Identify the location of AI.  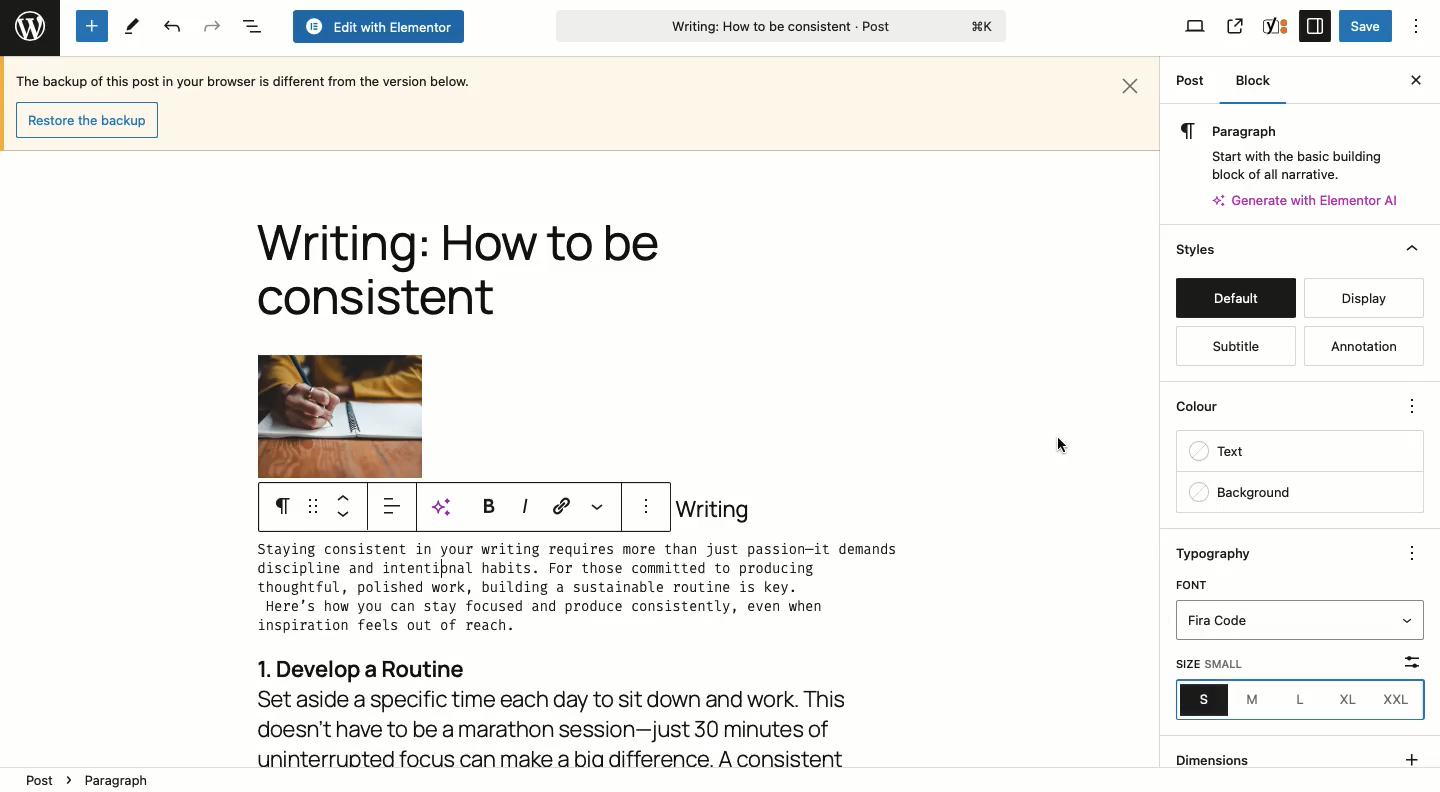
(448, 507).